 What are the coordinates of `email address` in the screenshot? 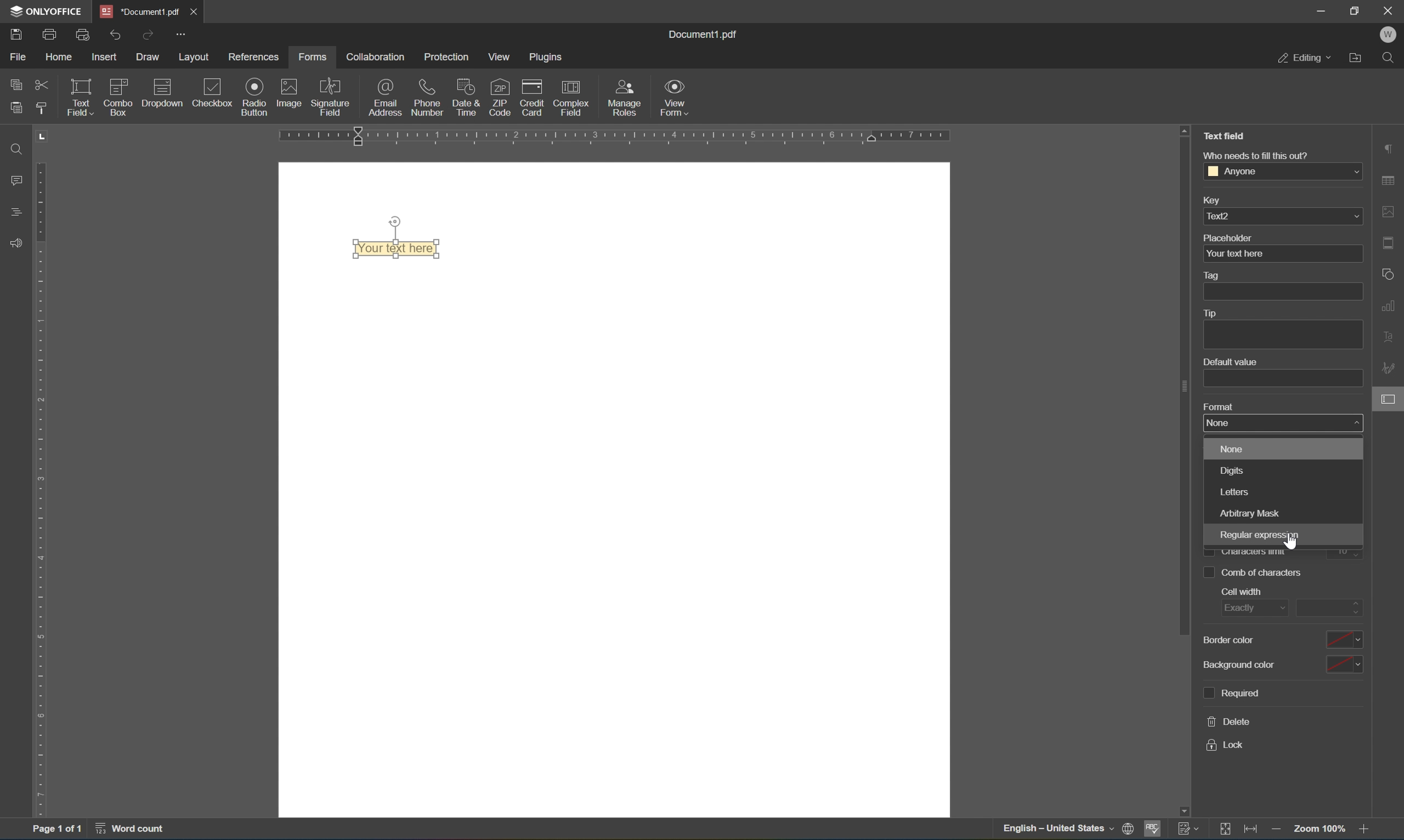 It's located at (384, 98).